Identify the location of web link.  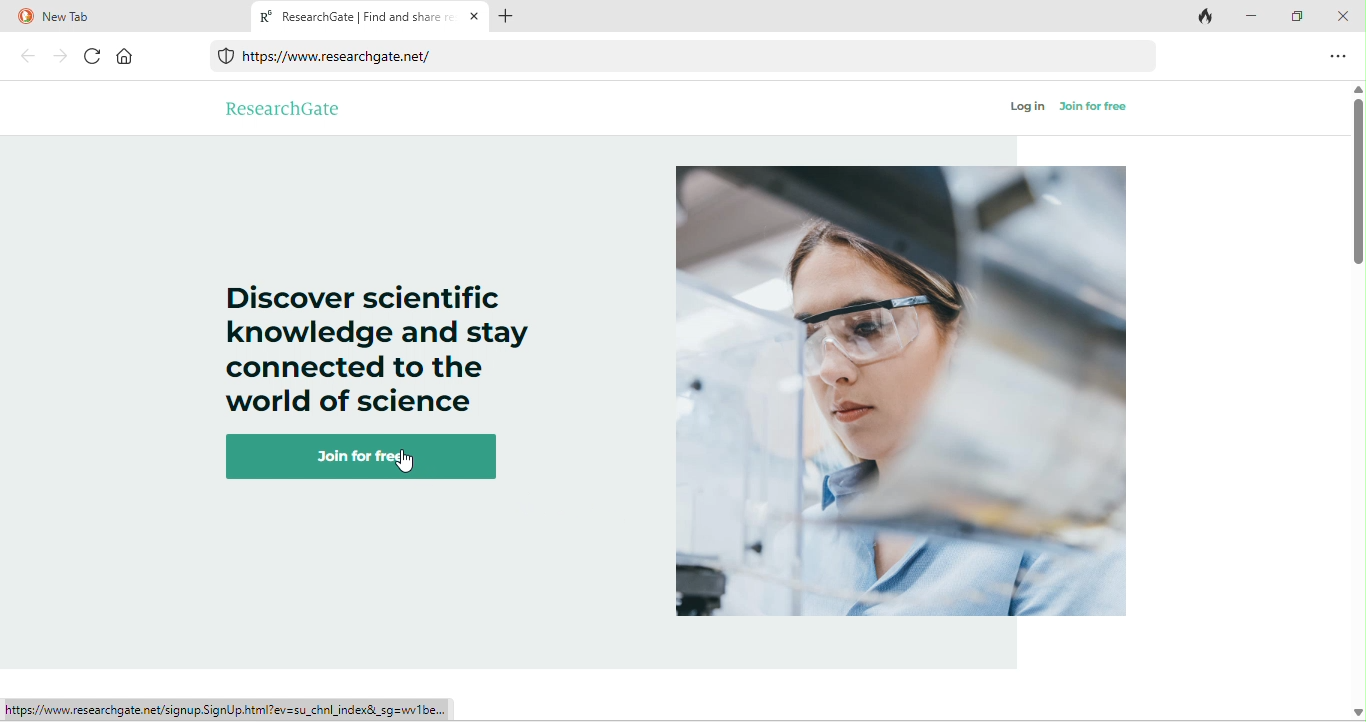
(689, 58).